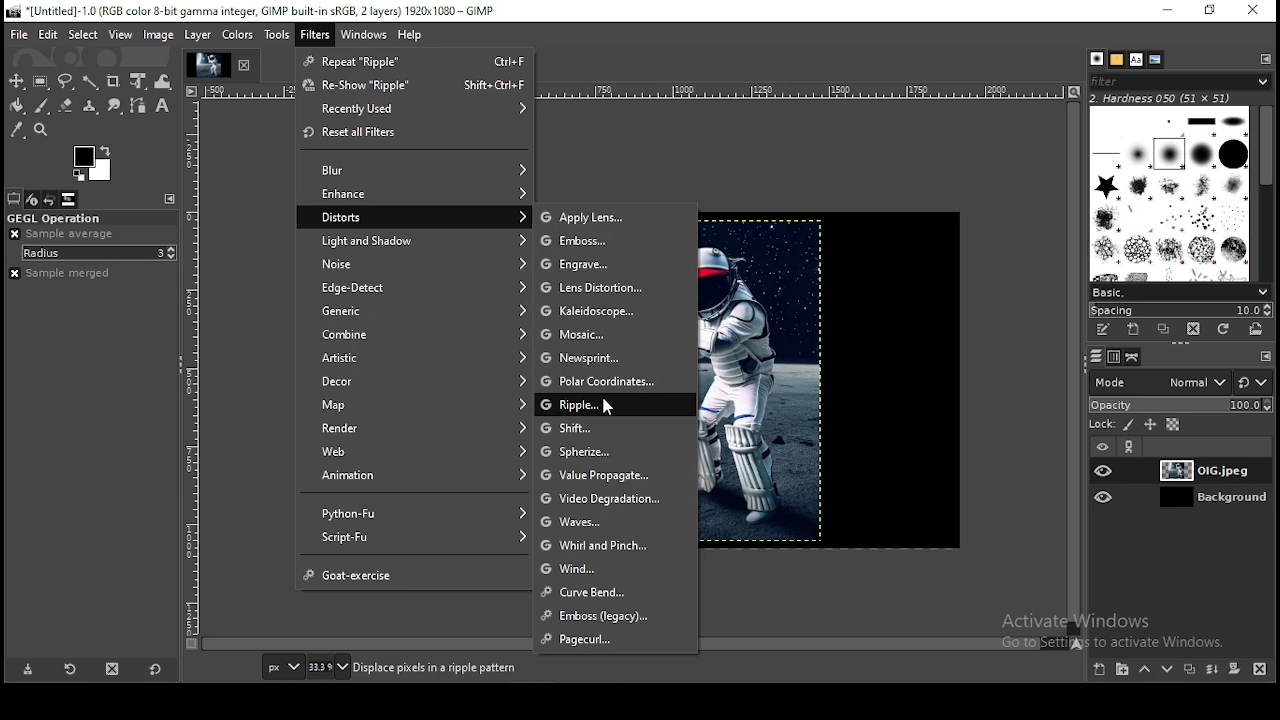 Image resolution: width=1280 pixels, height=720 pixels. Describe the element at coordinates (1265, 193) in the screenshot. I see `scroll bar` at that location.